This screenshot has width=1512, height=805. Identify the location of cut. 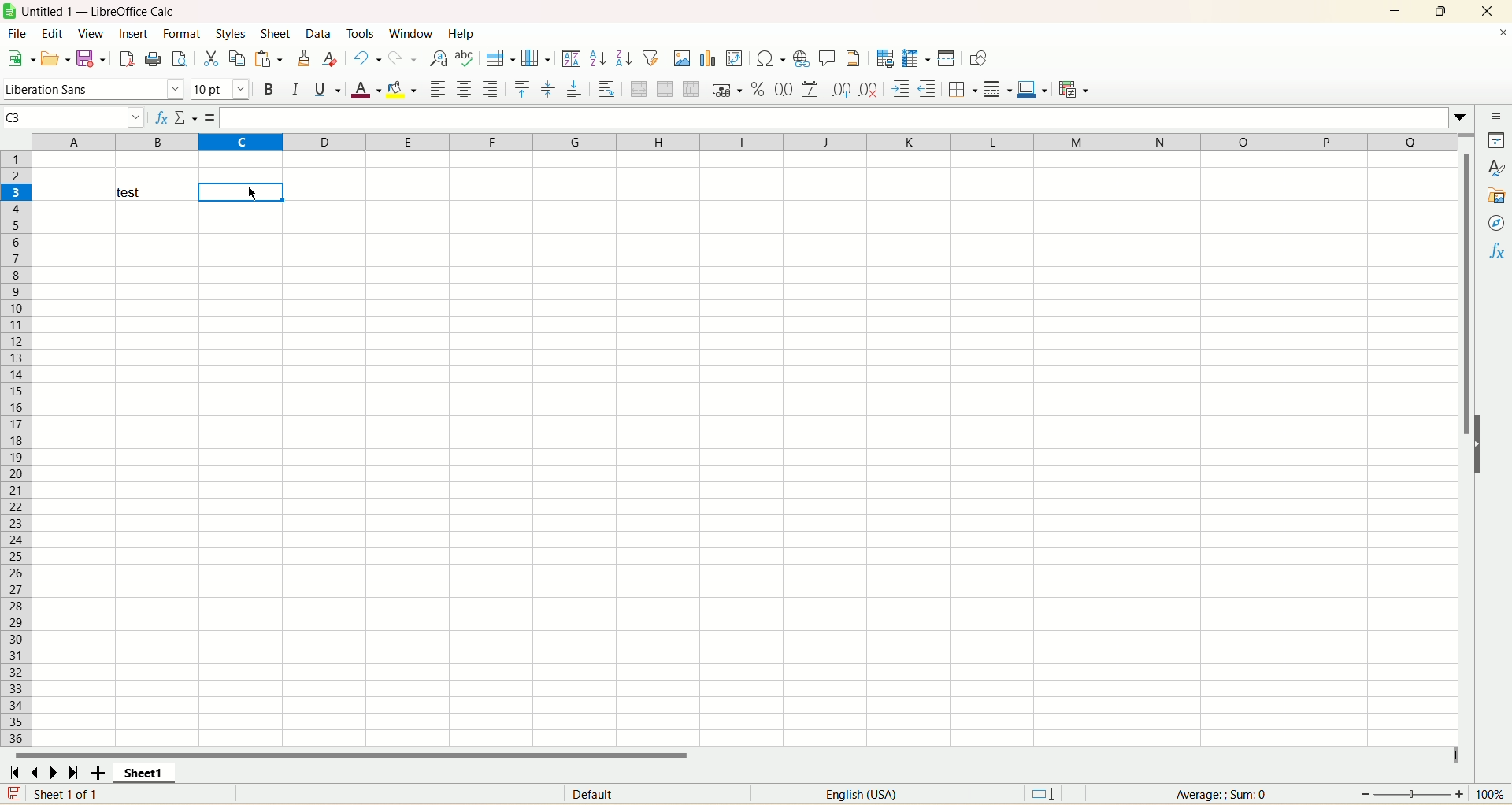
(211, 58).